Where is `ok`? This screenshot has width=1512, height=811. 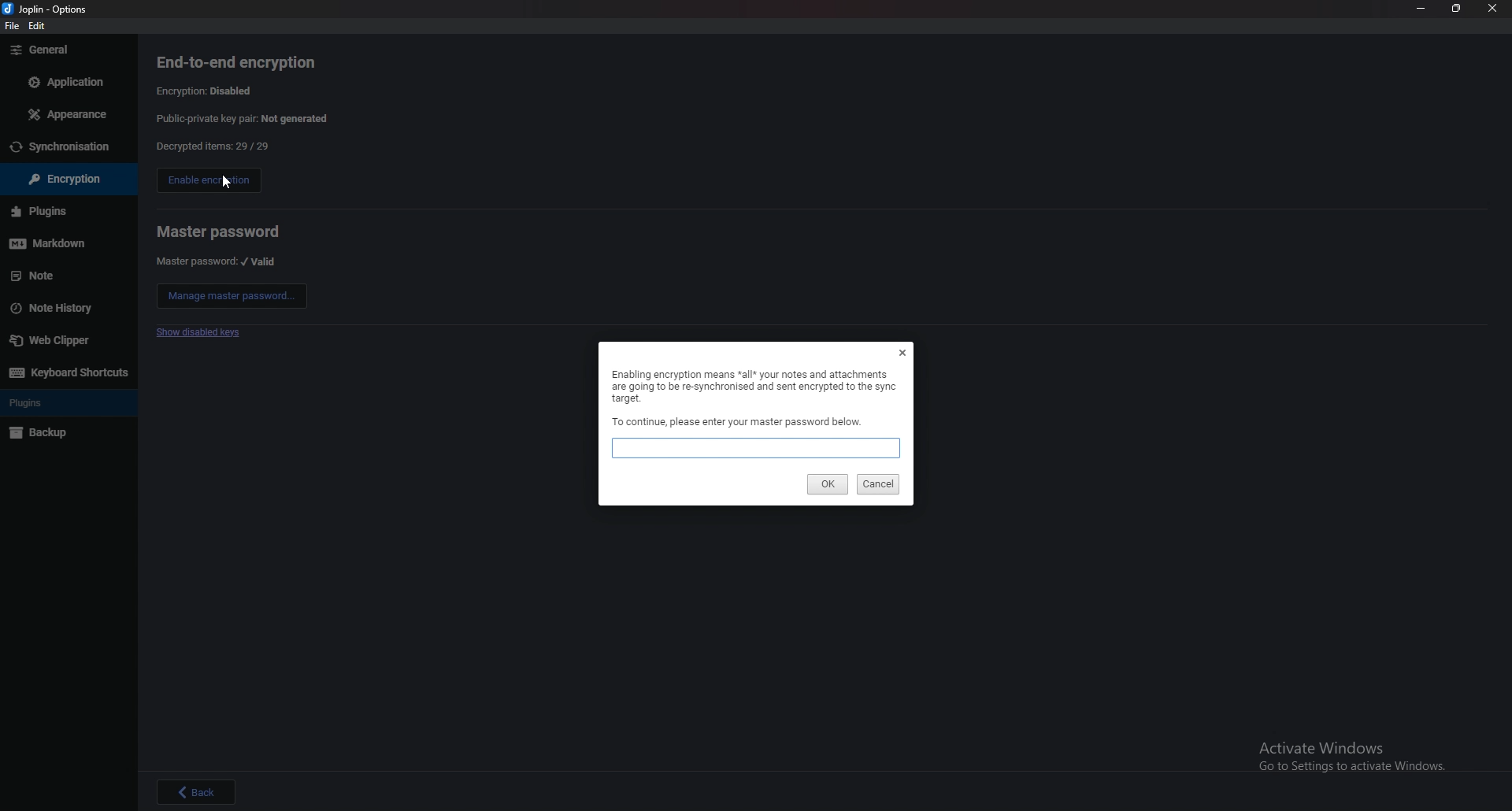 ok is located at coordinates (827, 483).